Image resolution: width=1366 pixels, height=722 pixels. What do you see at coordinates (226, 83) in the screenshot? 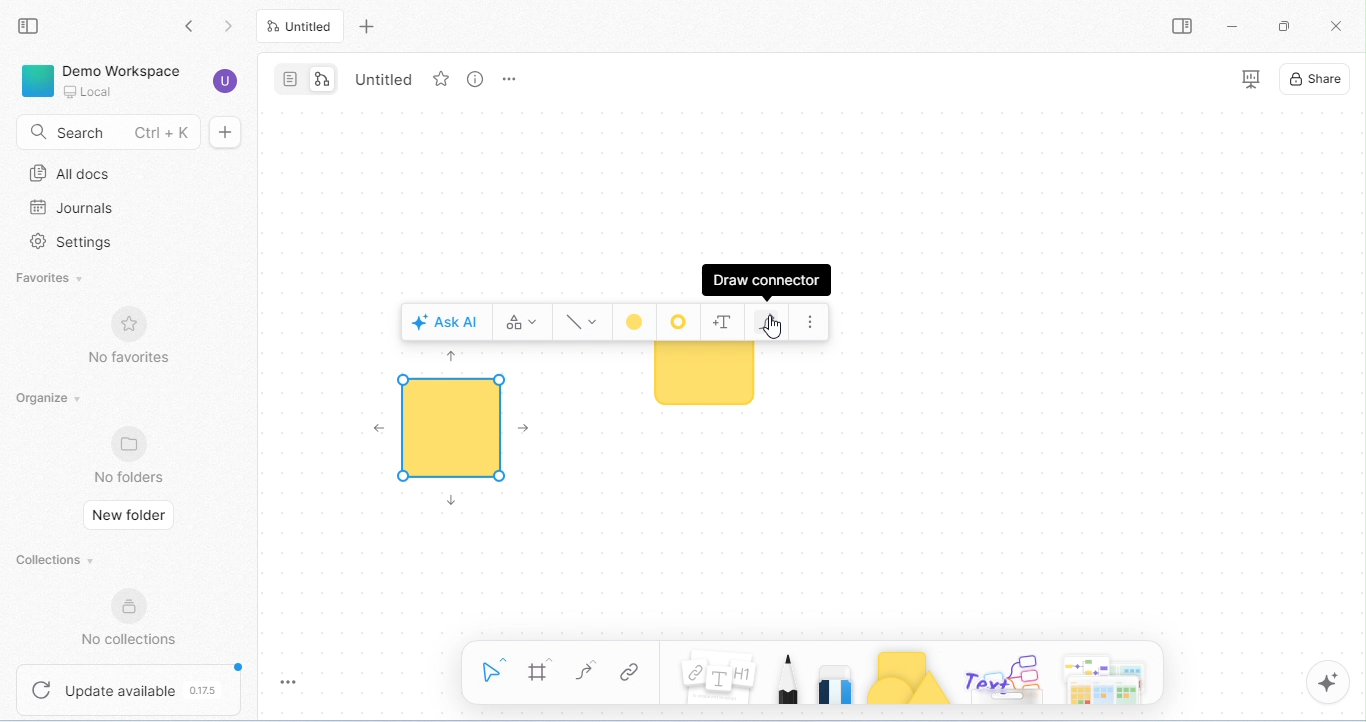
I see `account` at bounding box center [226, 83].